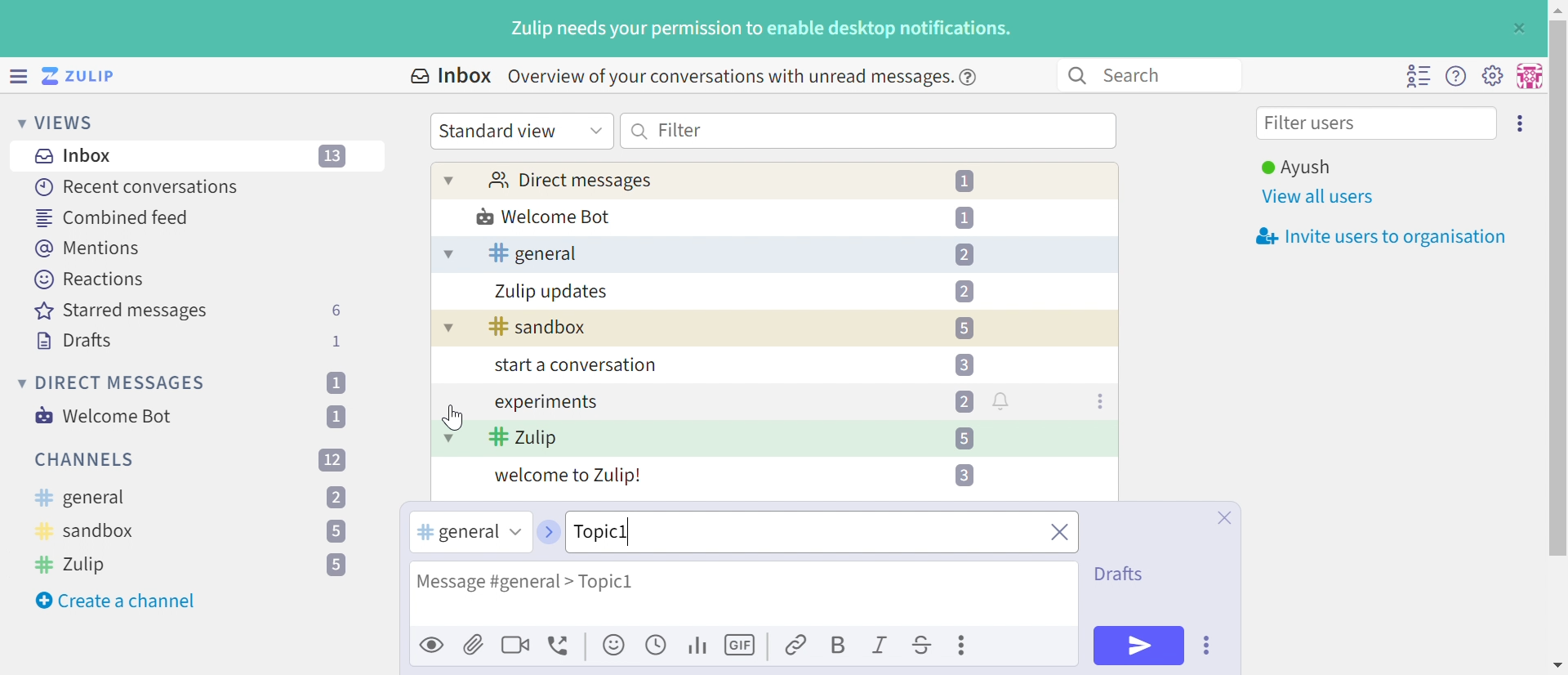 Image resolution: width=1568 pixels, height=675 pixels. I want to click on 1, so click(340, 416).